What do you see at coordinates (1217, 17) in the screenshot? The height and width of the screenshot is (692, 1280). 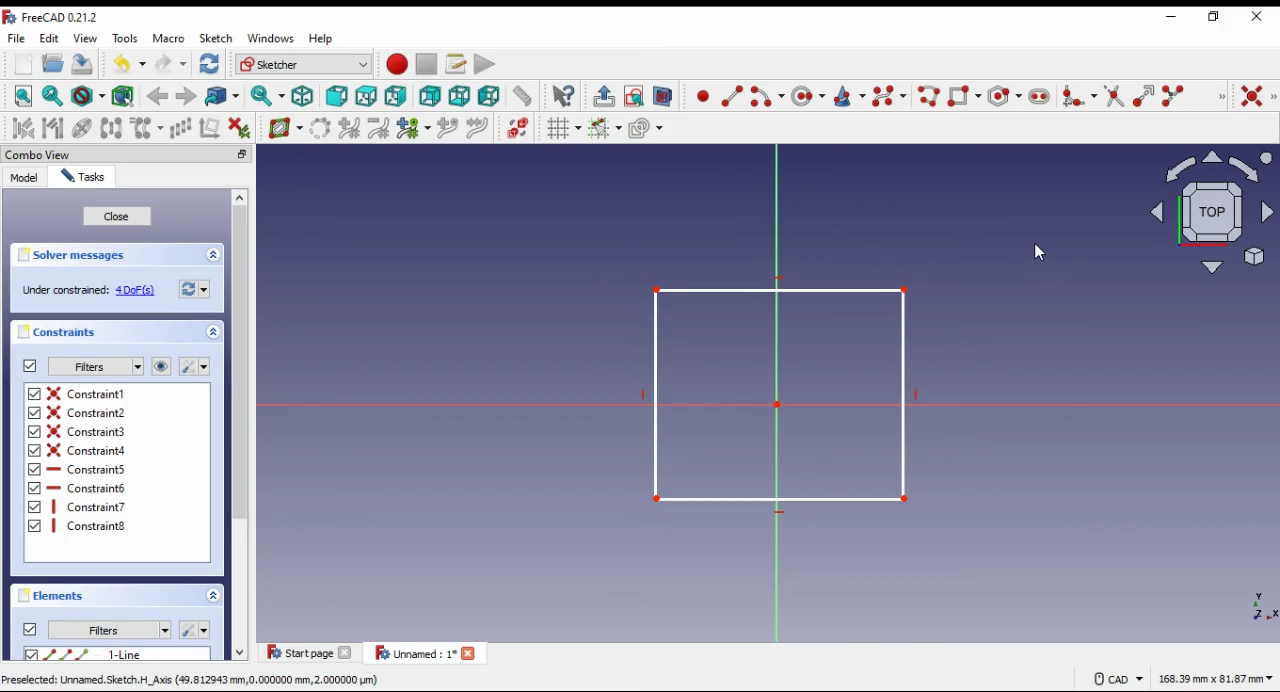 I see `restore` at bounding box center [1217, 17].